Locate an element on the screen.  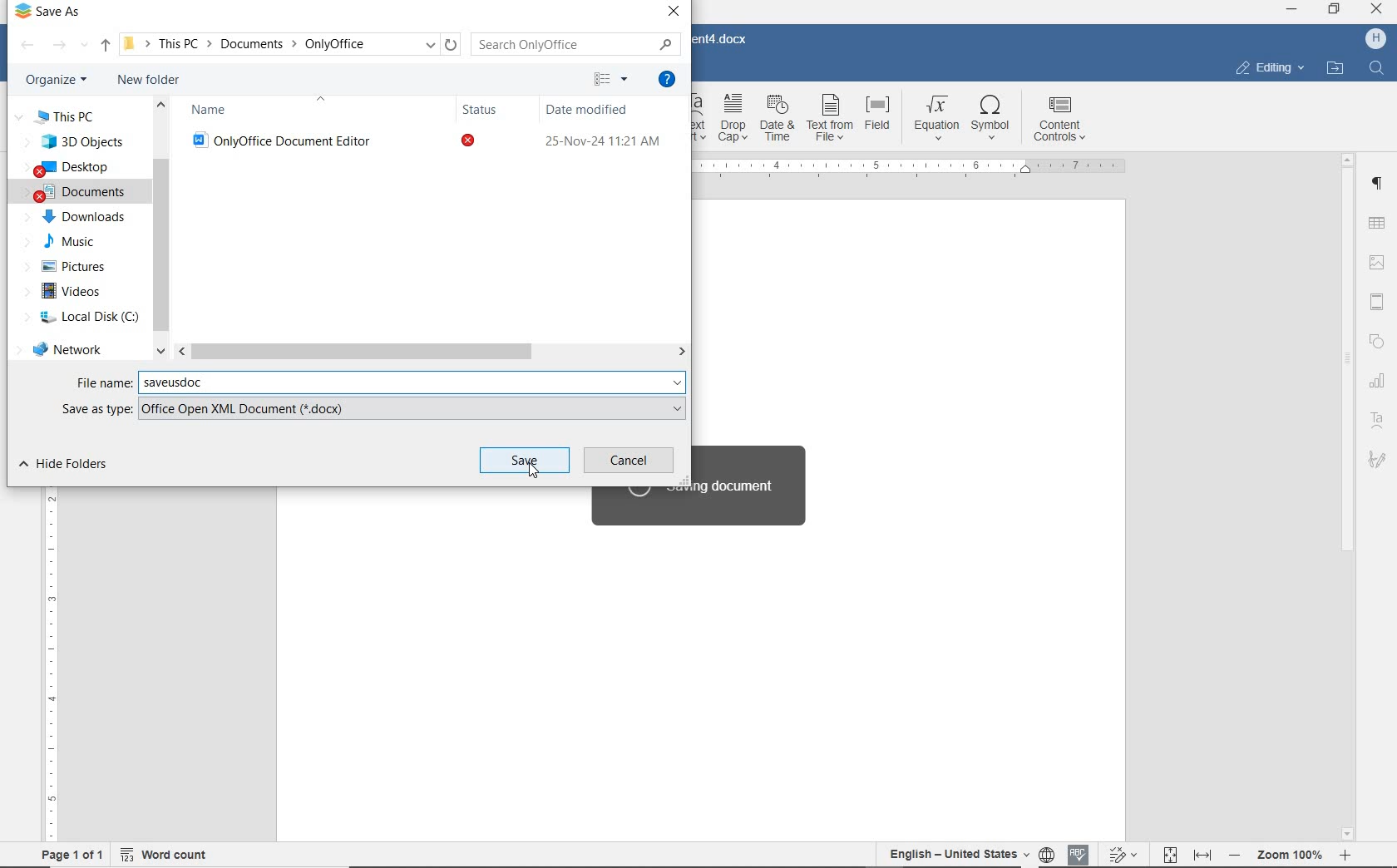
MUSIC is located at coordinates (61, 241).